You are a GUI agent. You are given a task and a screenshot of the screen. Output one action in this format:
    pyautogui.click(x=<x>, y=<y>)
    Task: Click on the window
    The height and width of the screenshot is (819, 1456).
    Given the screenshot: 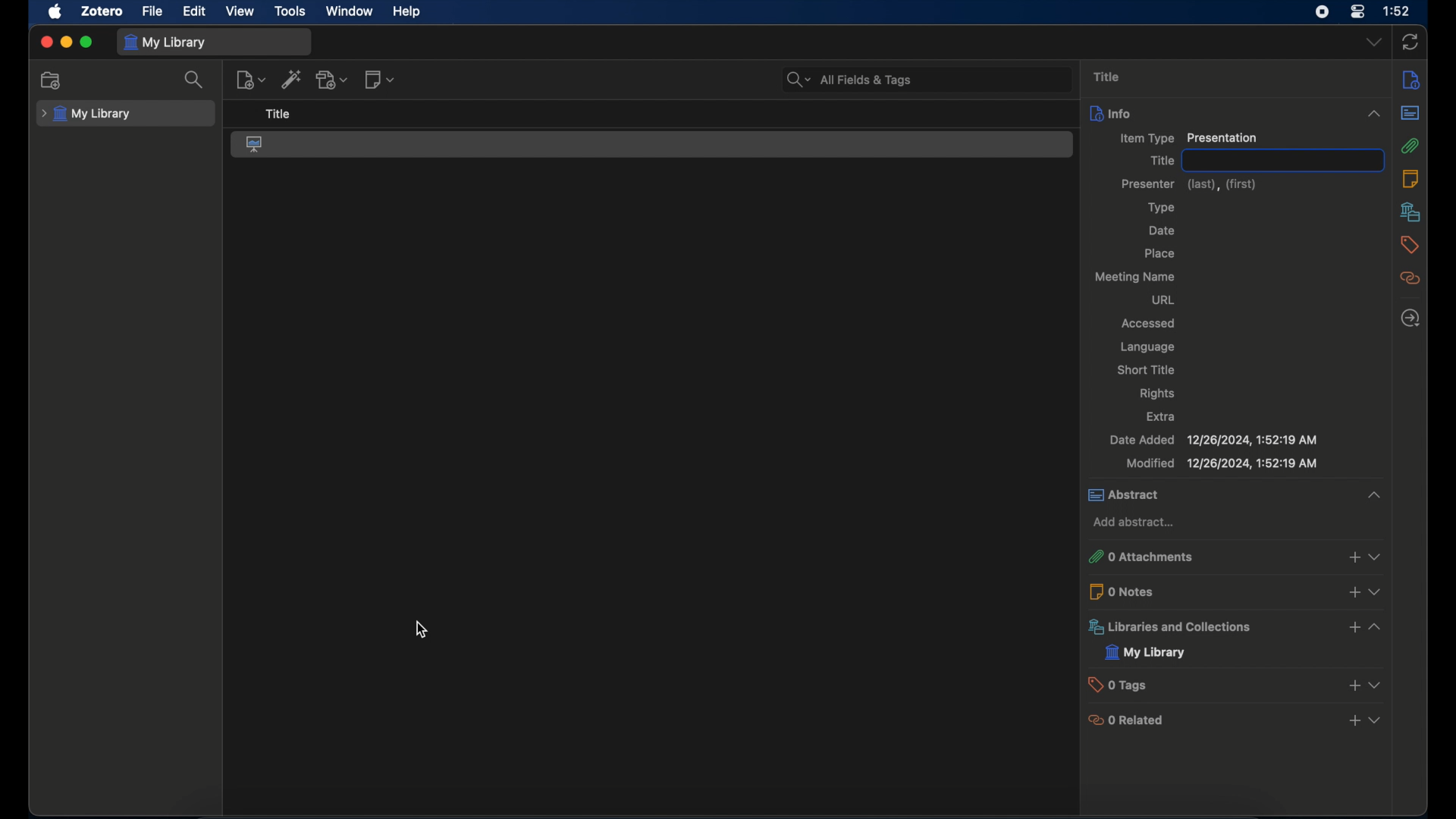 What is the action you would take?
    pyautogui.click(x=350, y=11)
    